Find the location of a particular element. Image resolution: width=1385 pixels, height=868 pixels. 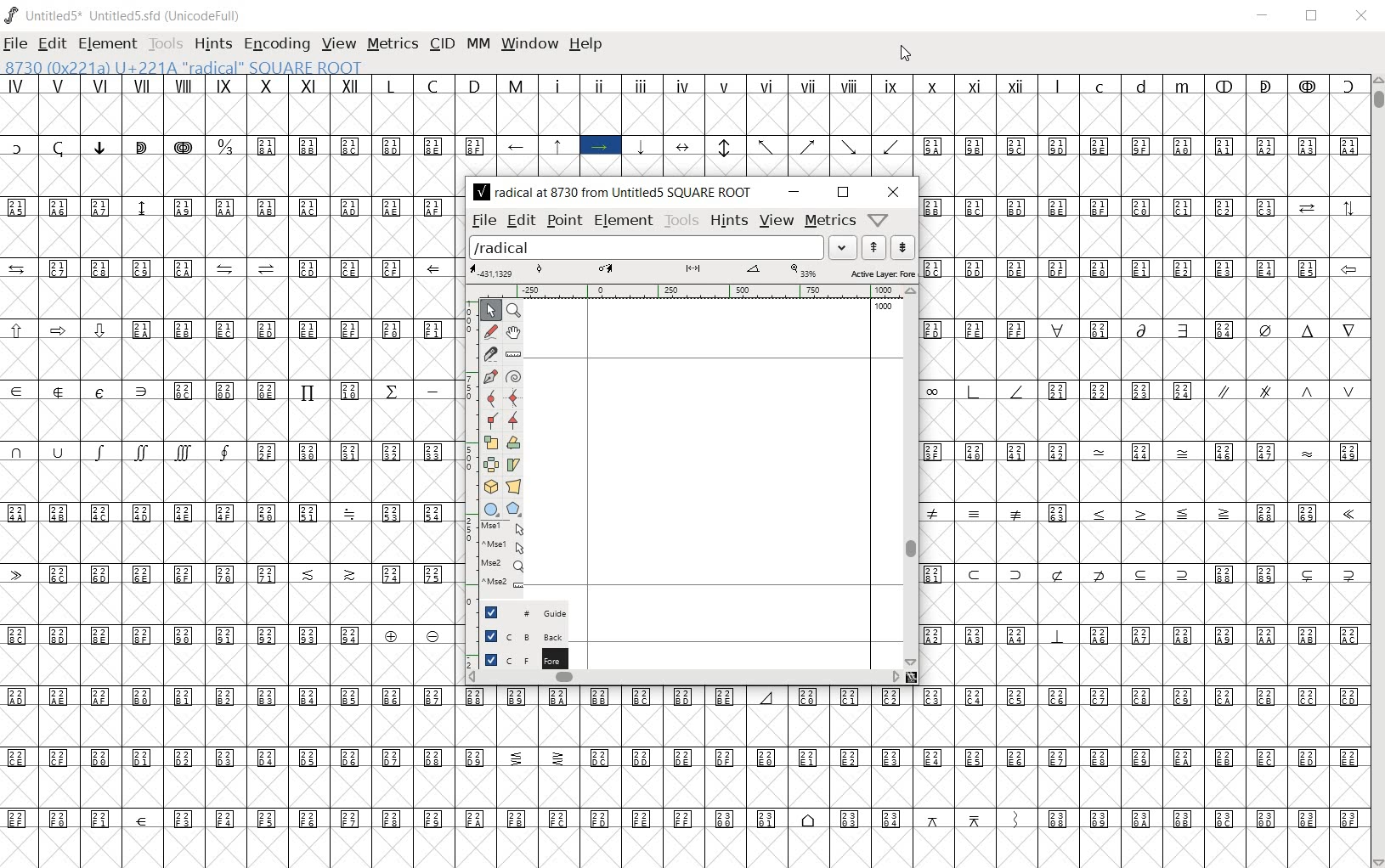

ELEMENT is located at coordinates (108, 45).